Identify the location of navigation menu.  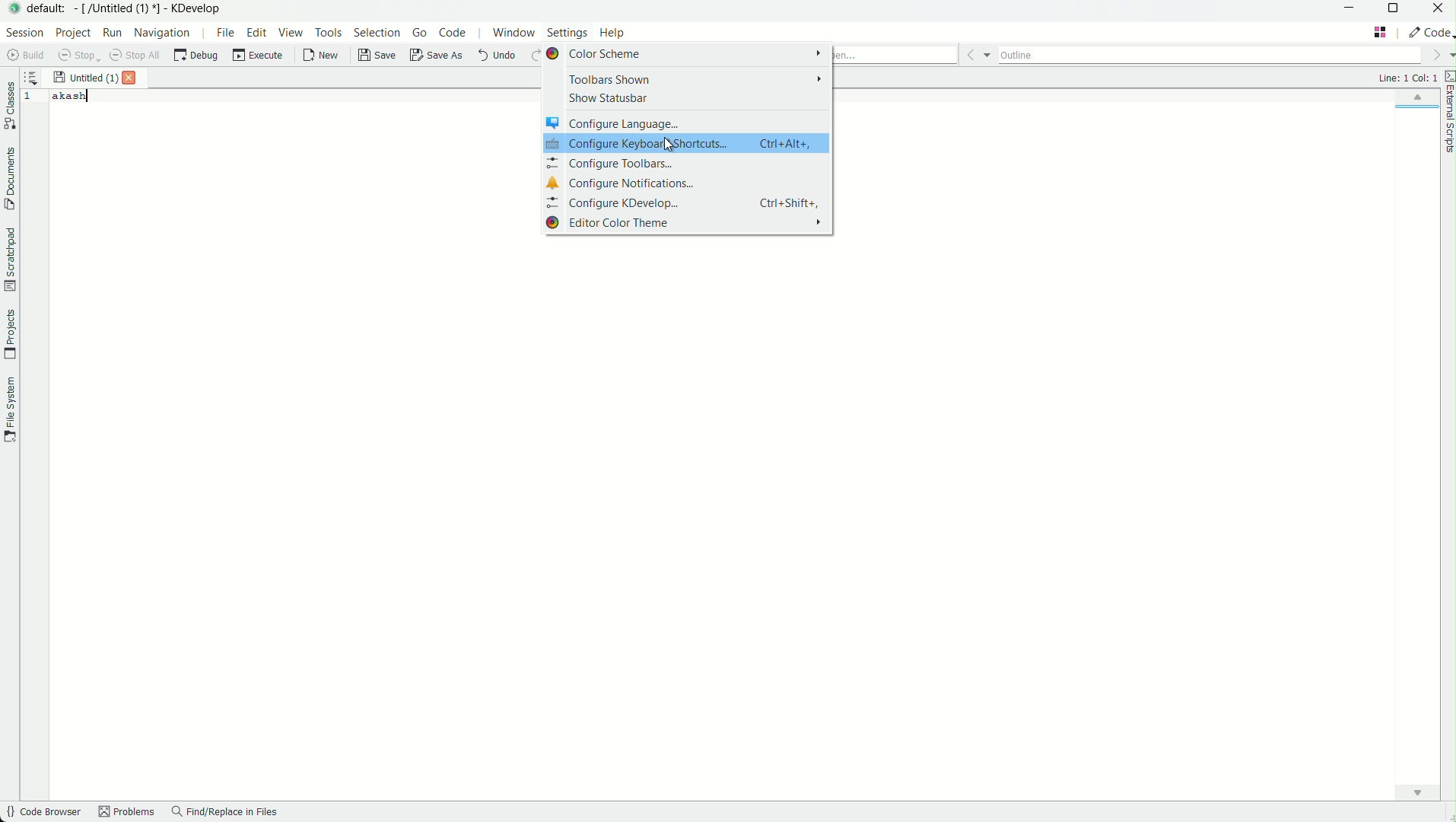
(163, 32).